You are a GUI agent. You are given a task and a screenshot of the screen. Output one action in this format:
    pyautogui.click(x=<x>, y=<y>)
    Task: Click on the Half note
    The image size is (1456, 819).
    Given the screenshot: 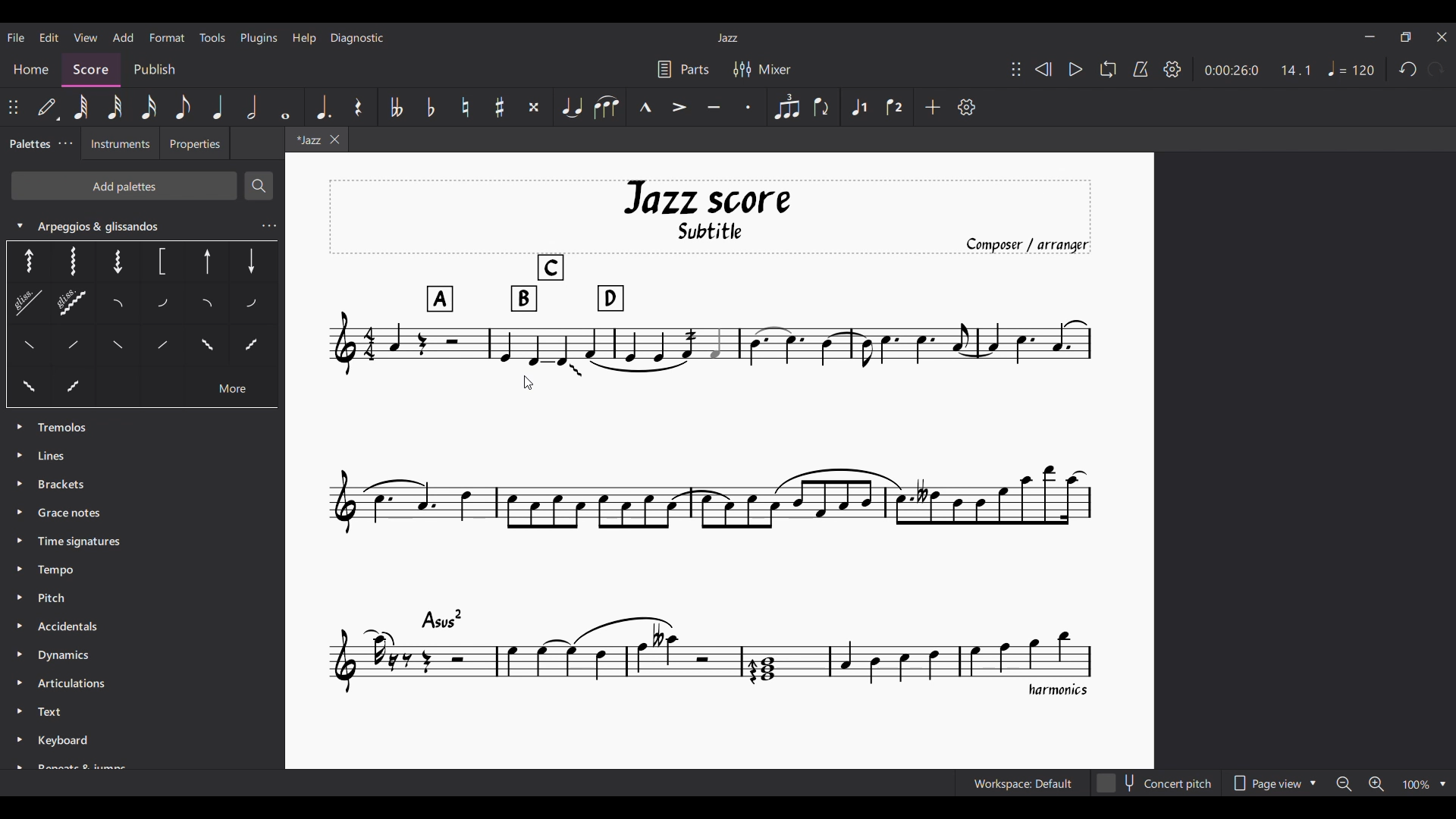 What is the action you would take?
    pyautogui.click(x=253, y=107)
    